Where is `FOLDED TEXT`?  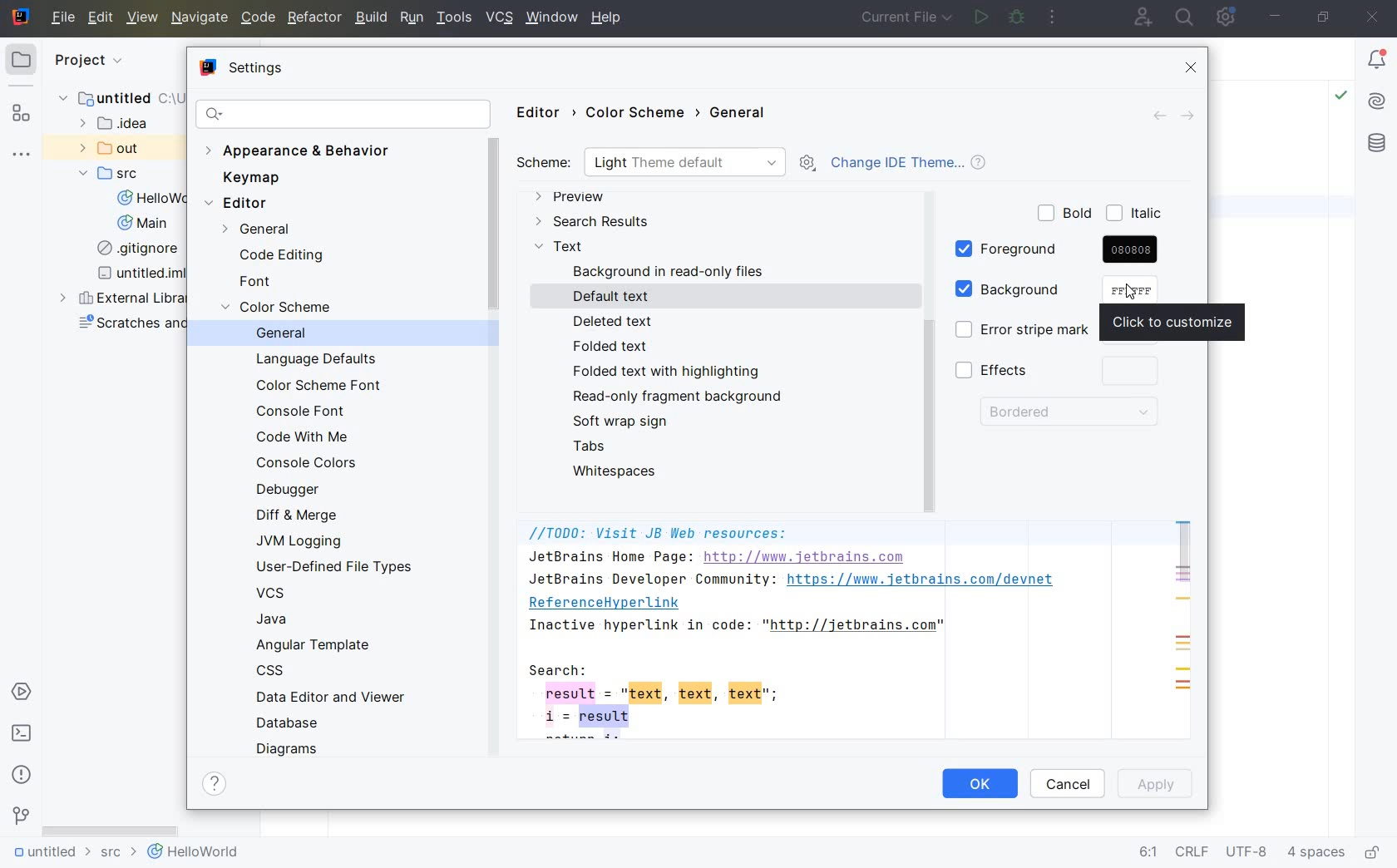 FOLDED TEXT is located at coordinates (615, 348).